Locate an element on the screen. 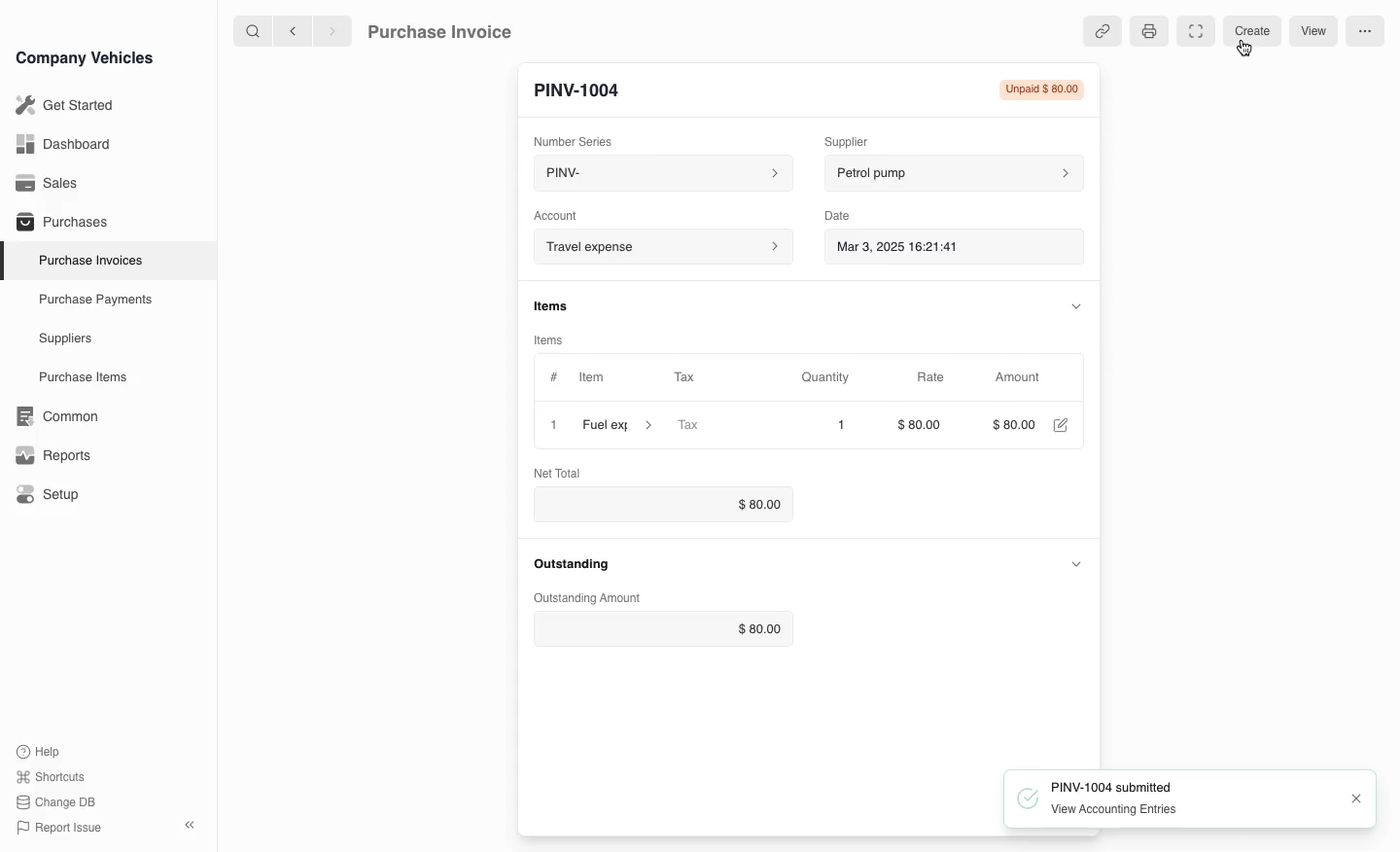  Date is located at coordinates (838, 216).